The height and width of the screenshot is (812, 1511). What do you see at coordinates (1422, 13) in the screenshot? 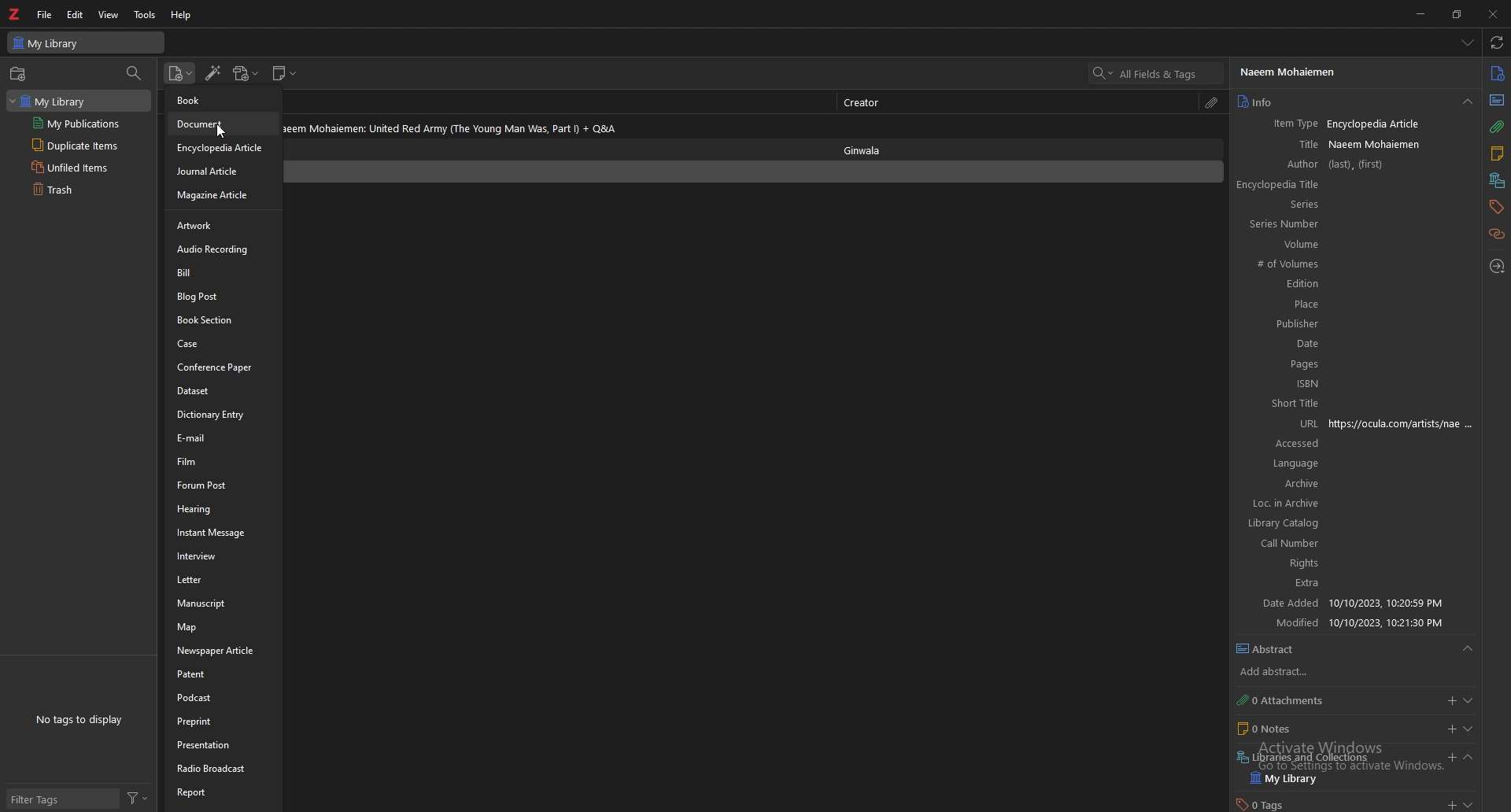
I see `minimize` at bounding box center [1422, 13].